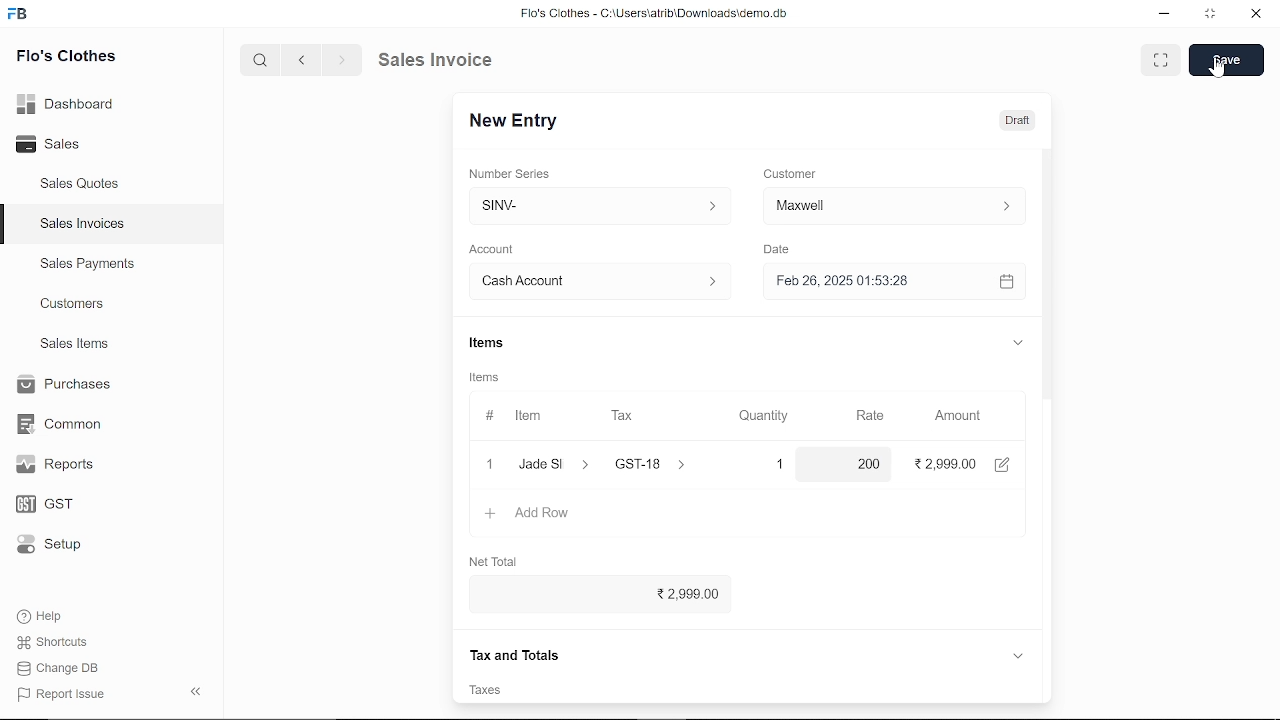  What do you see at coordinates (1217, 69) in the screenshot?
I see `cursor` at bounding box center [1217, 69].